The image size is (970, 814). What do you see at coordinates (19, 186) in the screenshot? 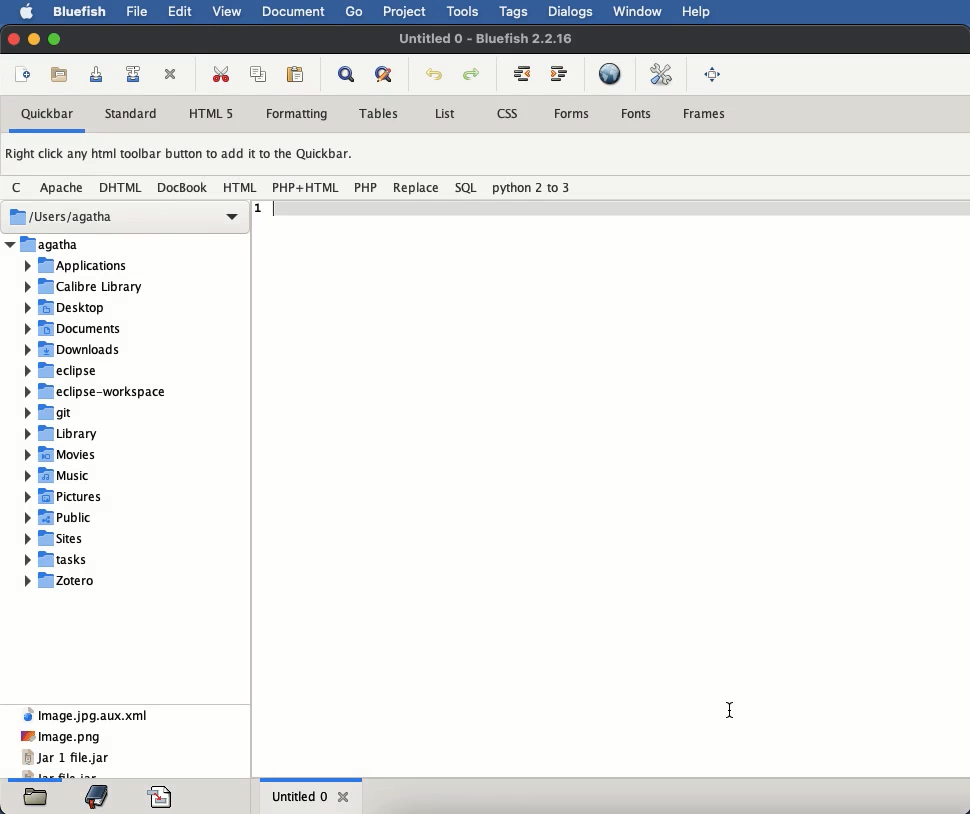
I see `C` at bounding box center [19, 186].